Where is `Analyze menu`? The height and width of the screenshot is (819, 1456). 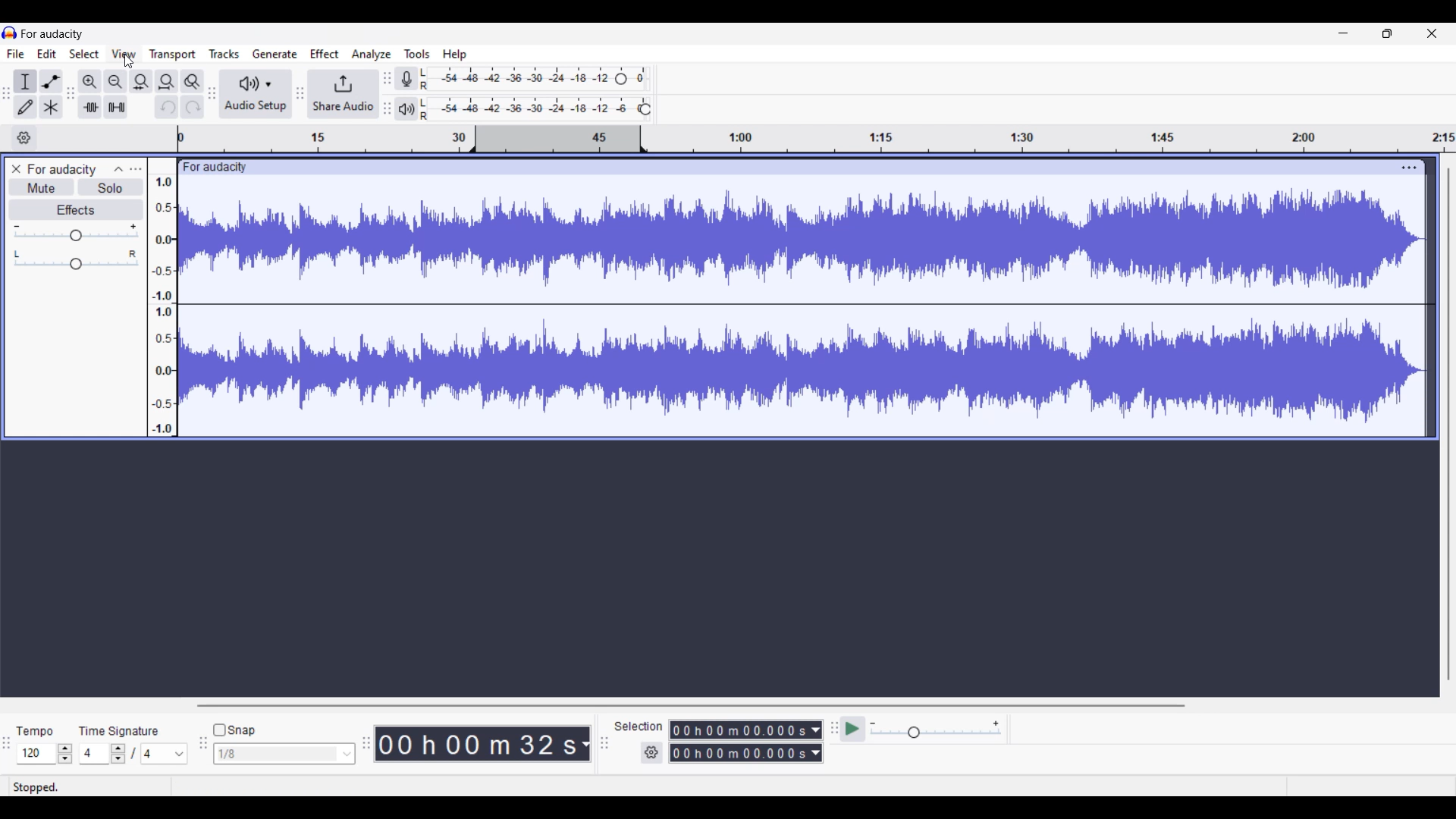
Analyze menu is located at coordinates (372, 55).